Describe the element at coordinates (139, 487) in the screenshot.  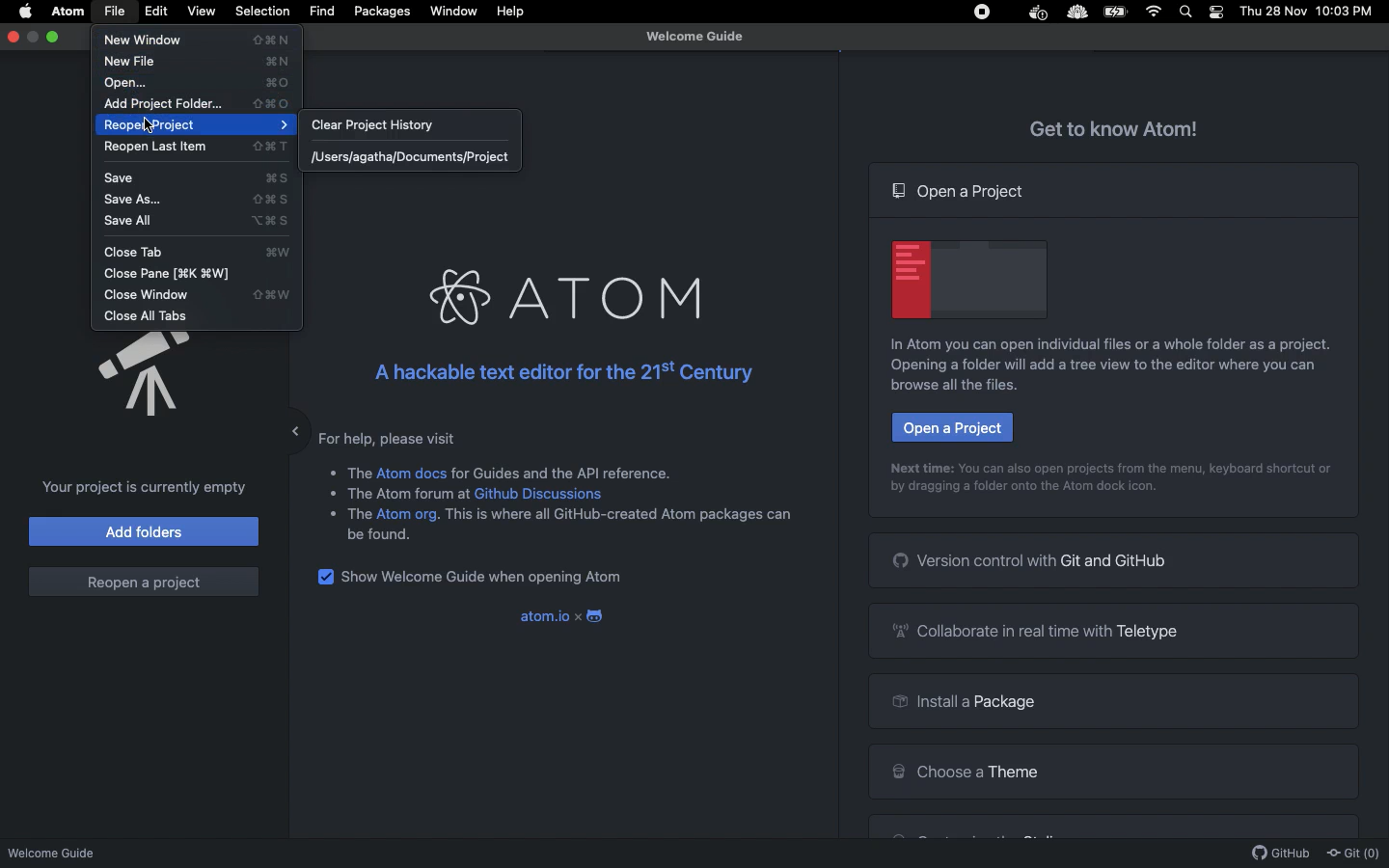
I see `Your project is currently empty` at that location.